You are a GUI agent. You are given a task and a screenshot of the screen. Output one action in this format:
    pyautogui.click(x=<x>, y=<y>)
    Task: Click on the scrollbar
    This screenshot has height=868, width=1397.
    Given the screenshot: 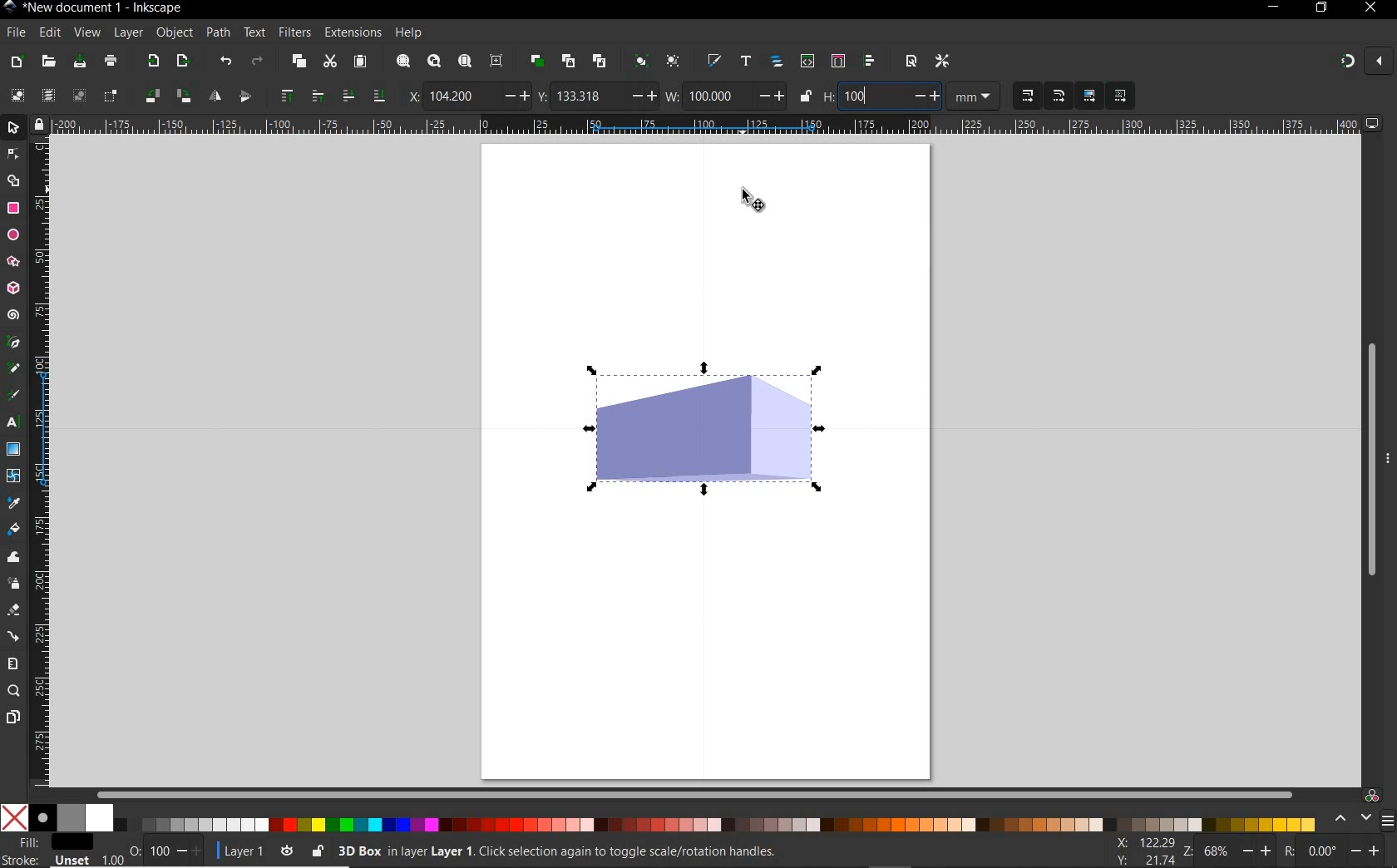 What is the action you would take?
    pyautogui.click(x=1368, y=458)
    